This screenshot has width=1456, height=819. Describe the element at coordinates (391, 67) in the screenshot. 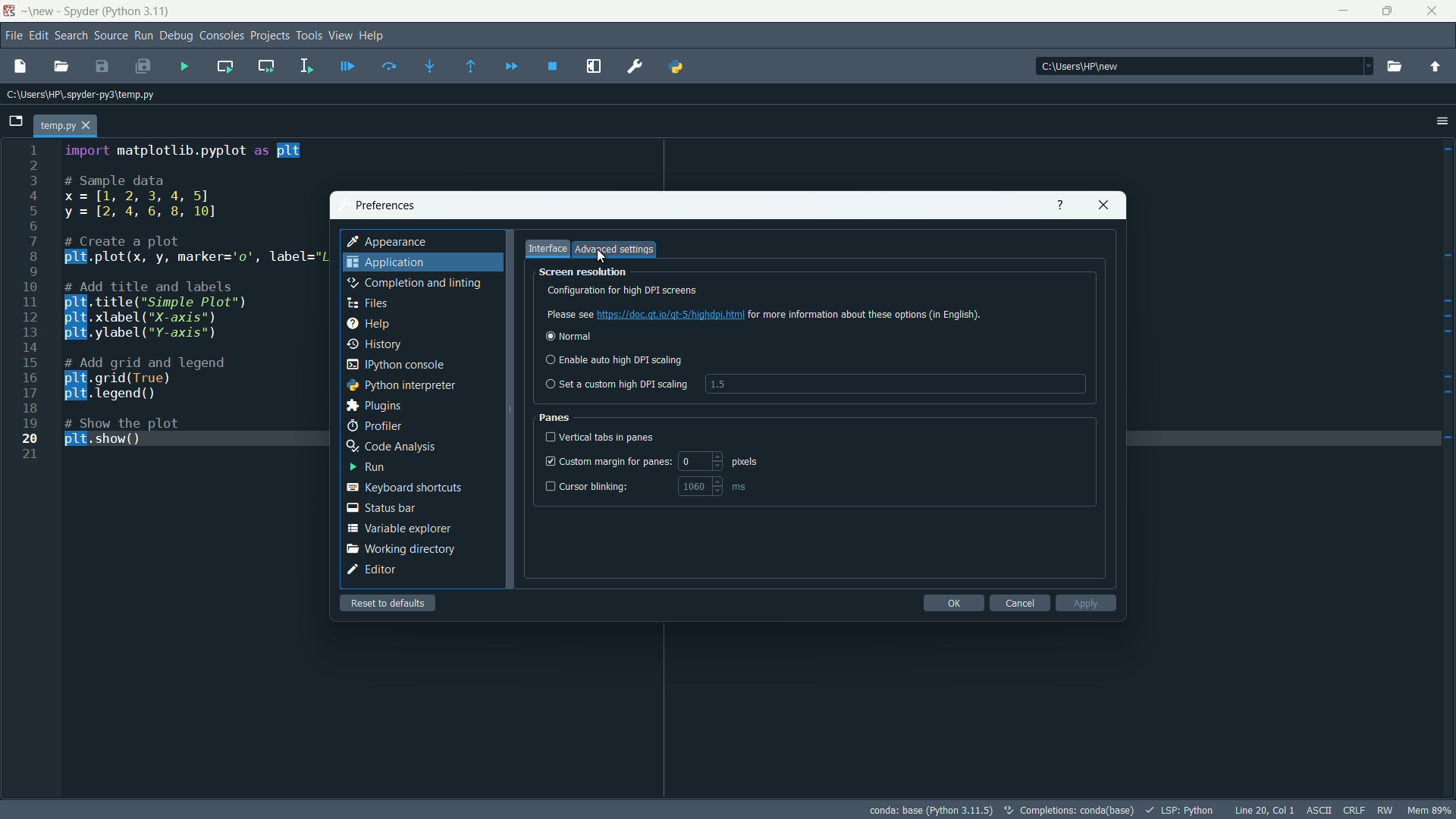

I see `execute current line` at that location.